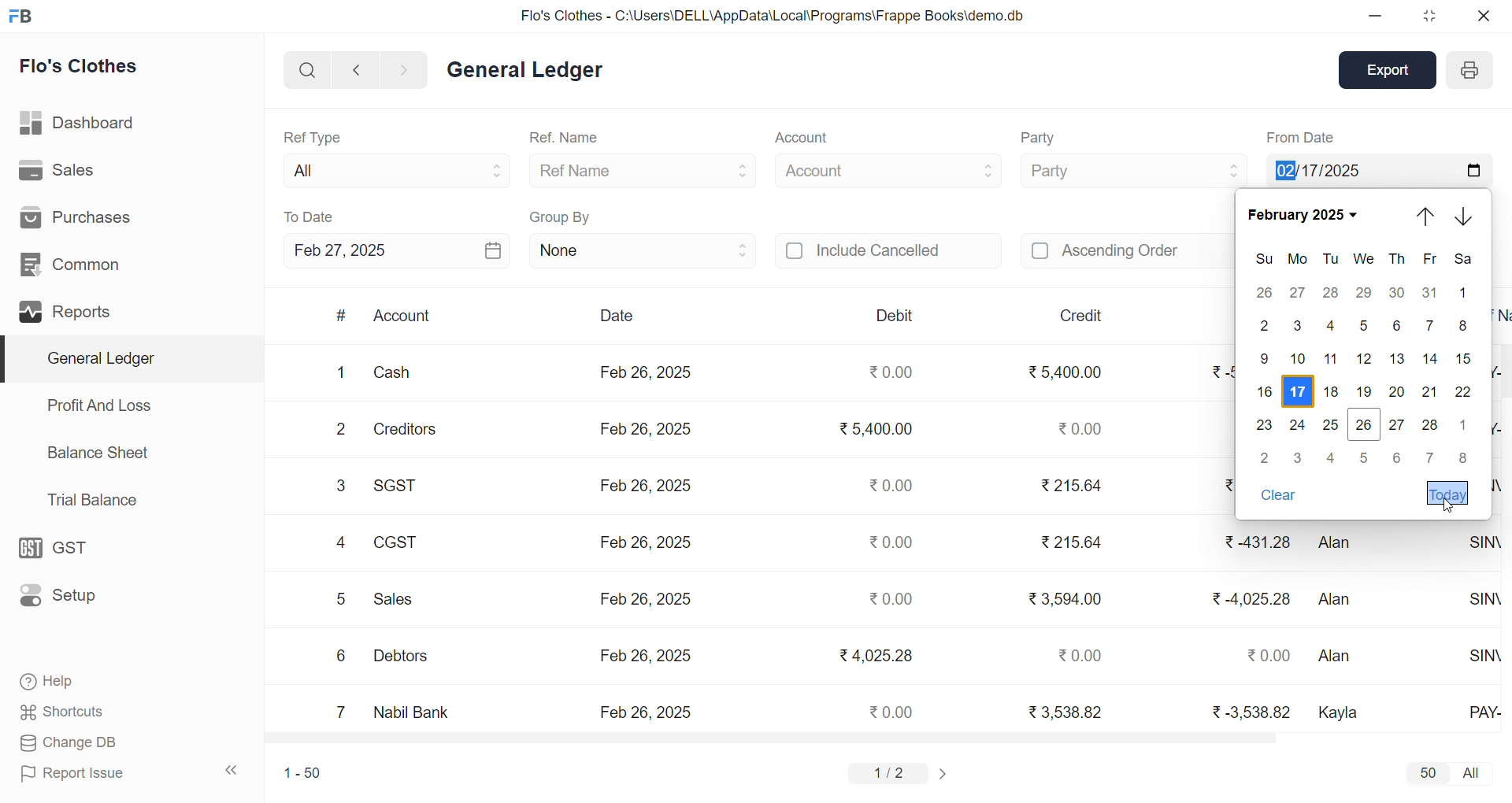  Describe the element at coordinates (888, 252) in the screenshot. I see `Include Cancelled` at that location.